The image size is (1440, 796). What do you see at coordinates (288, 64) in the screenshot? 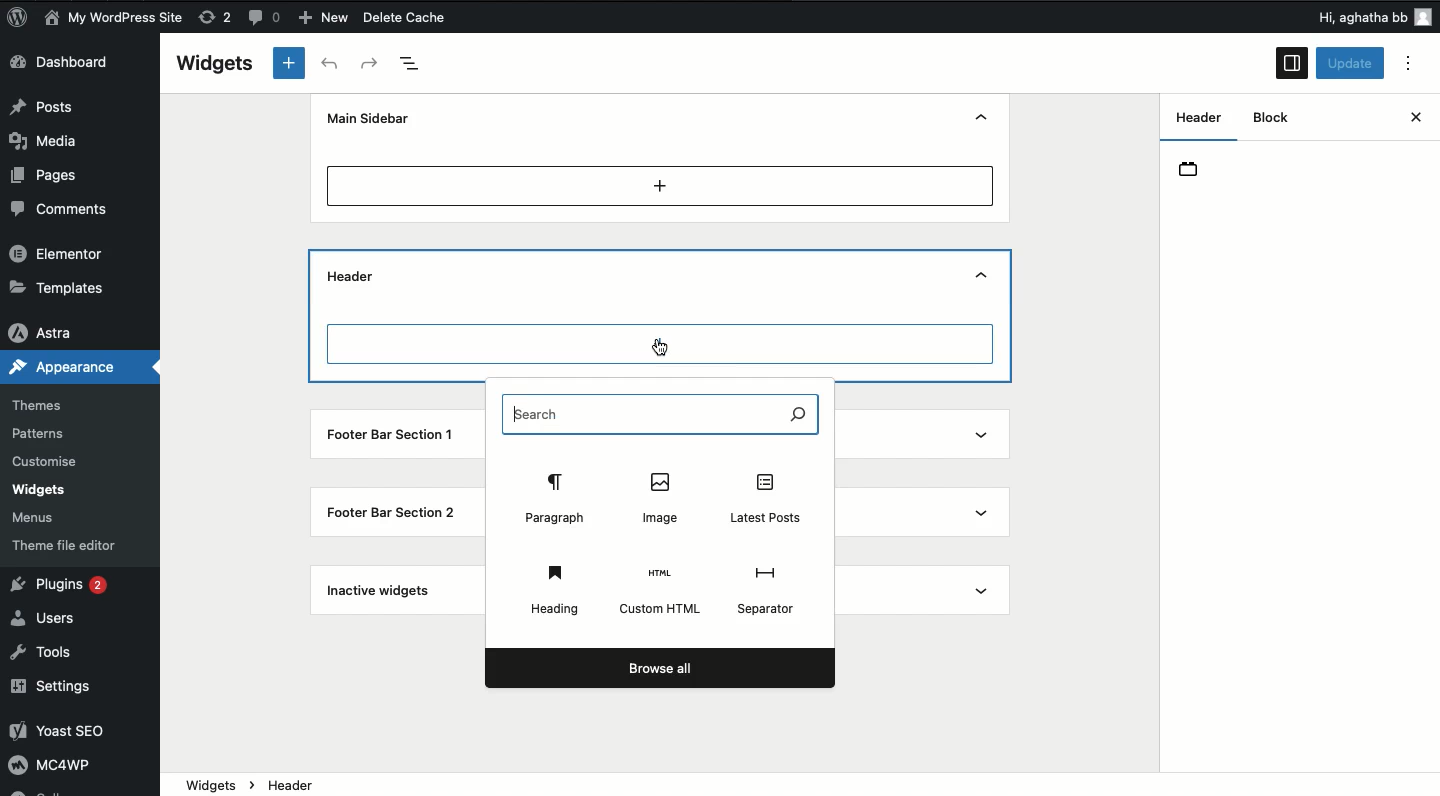
I see `Add new block` at bounding box center [288, 64].